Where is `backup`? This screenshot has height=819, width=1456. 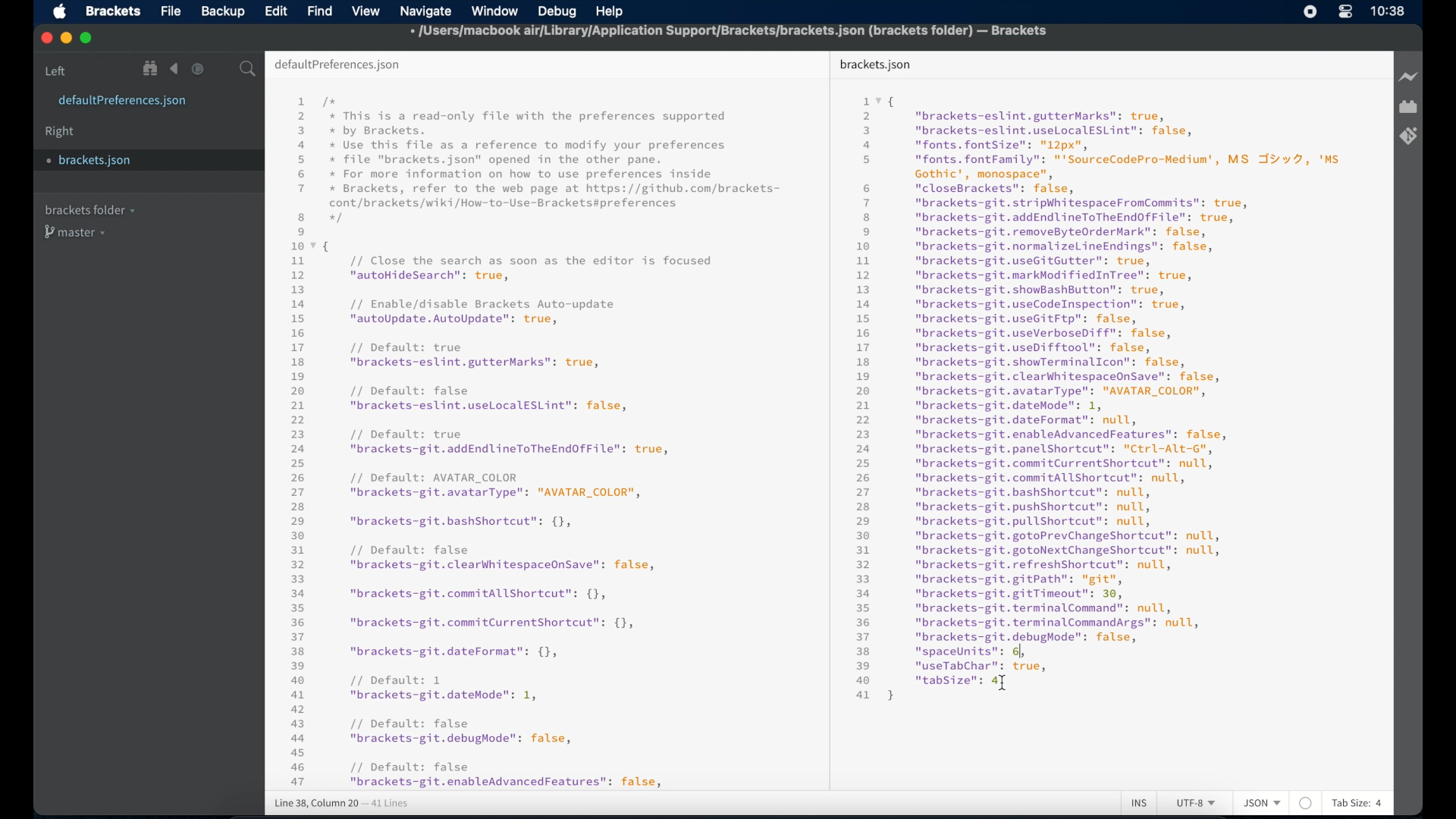
backup is located at coordinates (223, 11).